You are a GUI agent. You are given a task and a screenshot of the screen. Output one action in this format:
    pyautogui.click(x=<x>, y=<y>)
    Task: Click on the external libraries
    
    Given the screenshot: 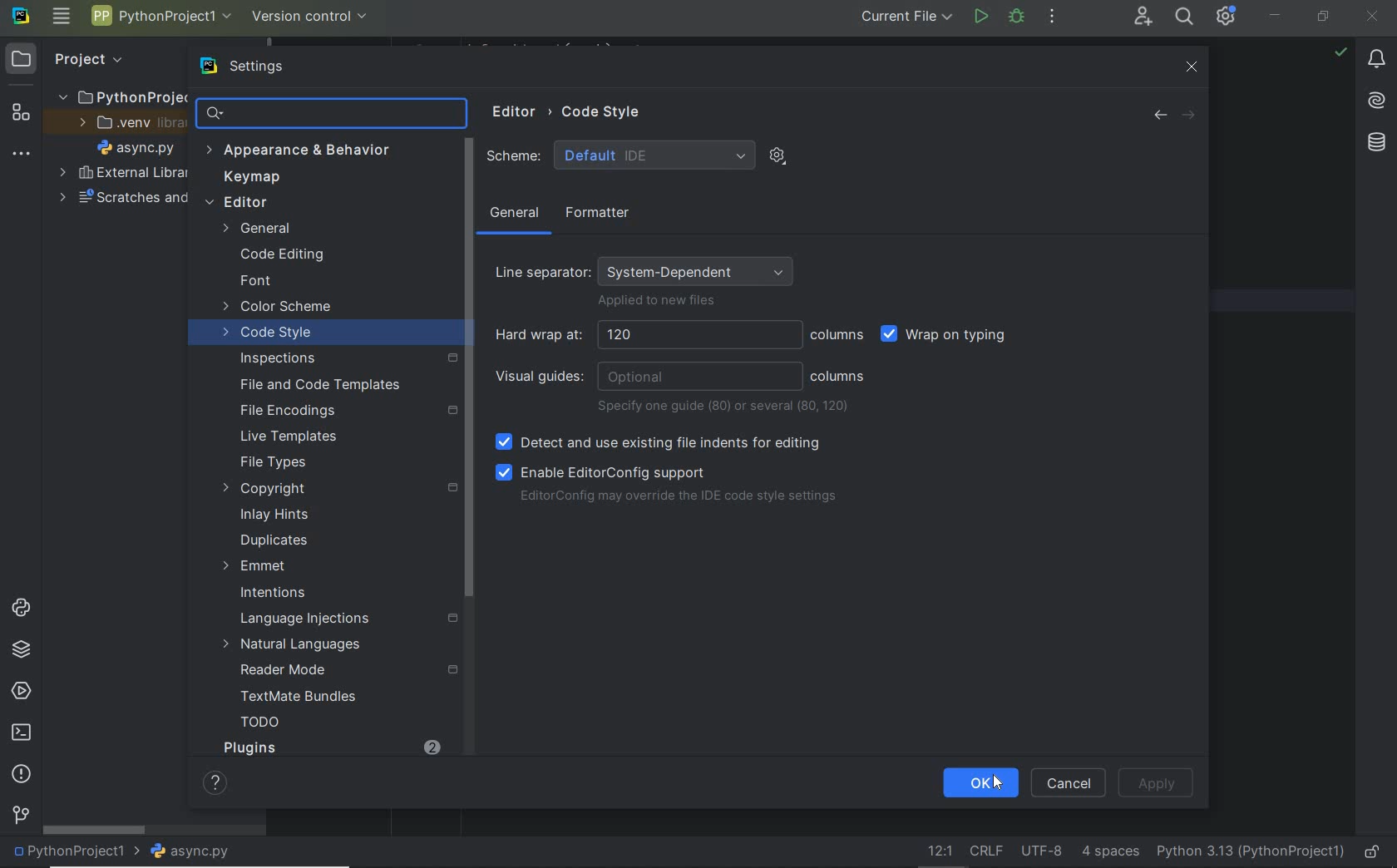 What is the action you would take?
    pyautogui.click(x=122, y=173)
    